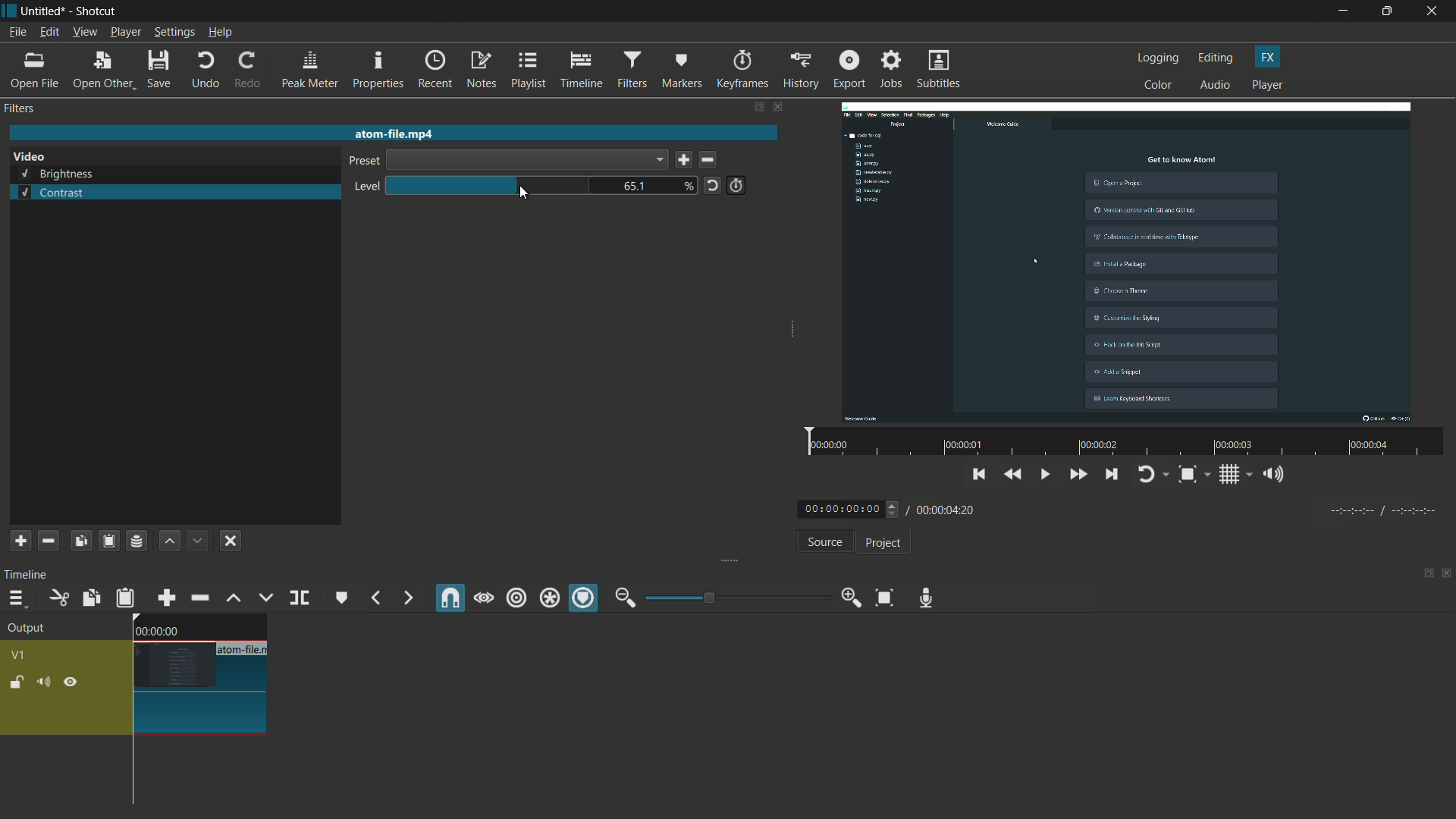 Image resolution: width=1456 pixels, height=819 pixels. What do you see at coordinates (979, 472) in the screenshot?
I see `skip to the previous point` at bounding box center [979, 472].